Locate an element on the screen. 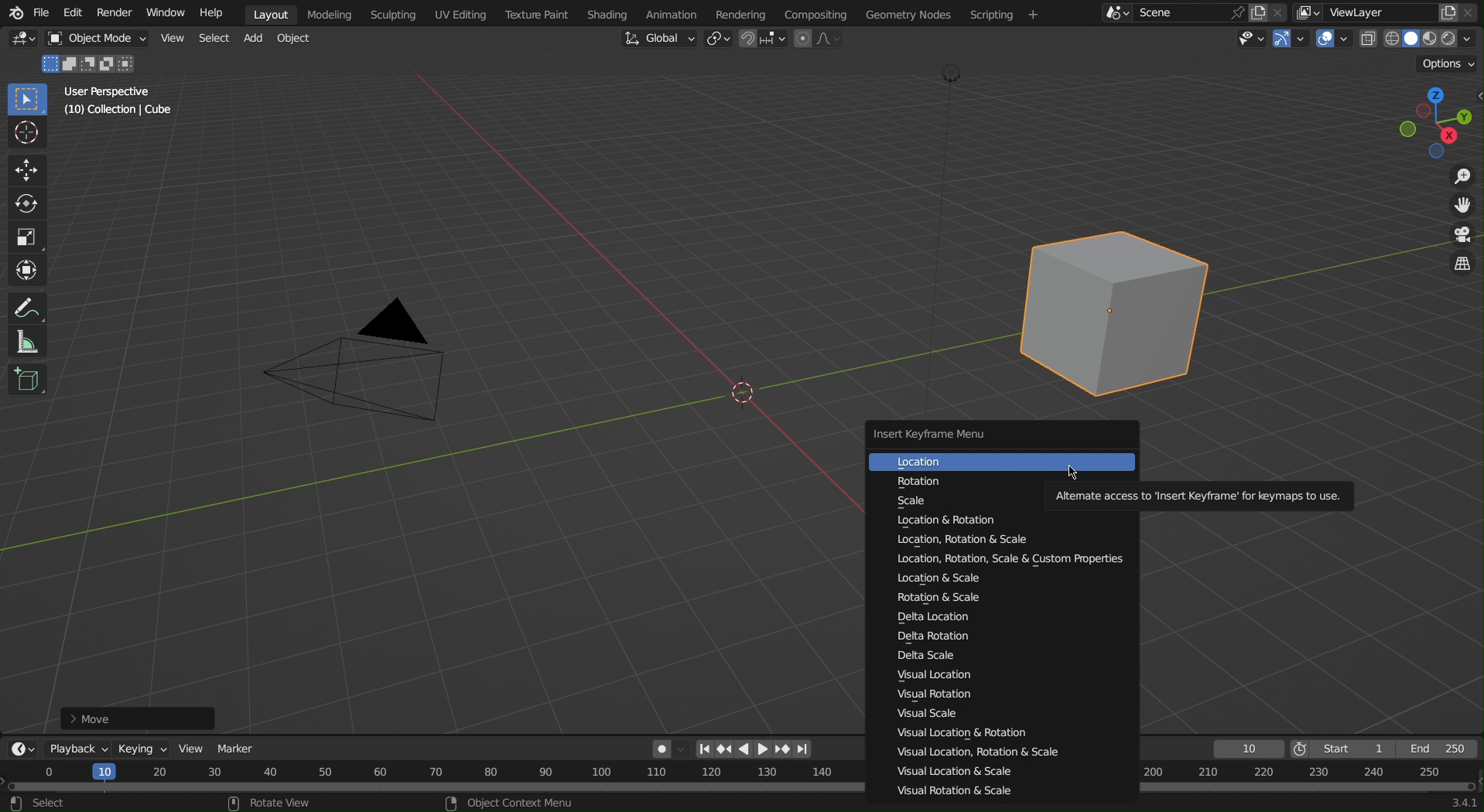 This screenshot has height=812, width=1484. Types of objects is located at coordinates (1246, 38).